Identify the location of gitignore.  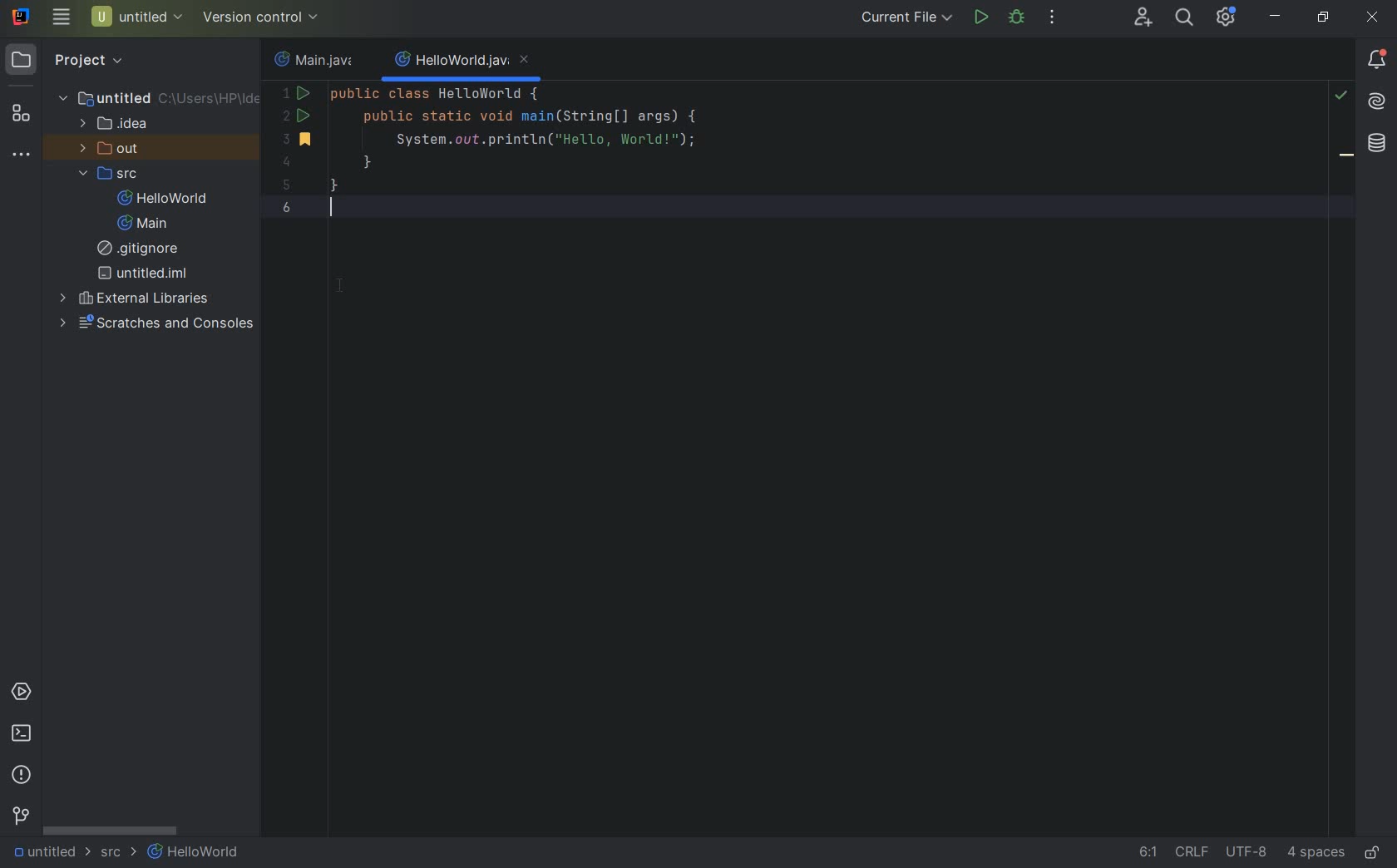
(142, 250).